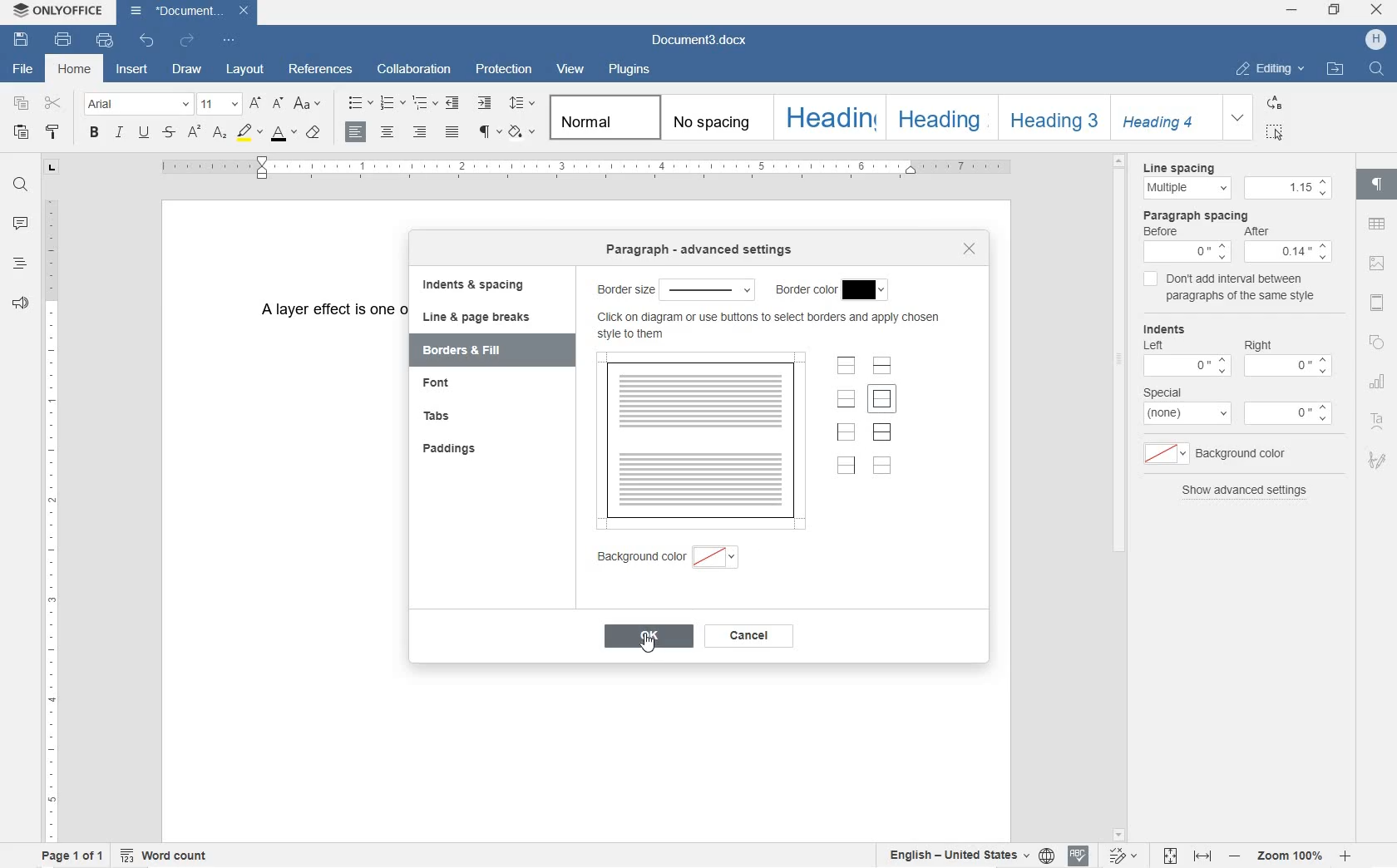  What do you see at coordinates (22, 40) in the screenshot?
I see `SAVE` at bounding box center [22, 40].